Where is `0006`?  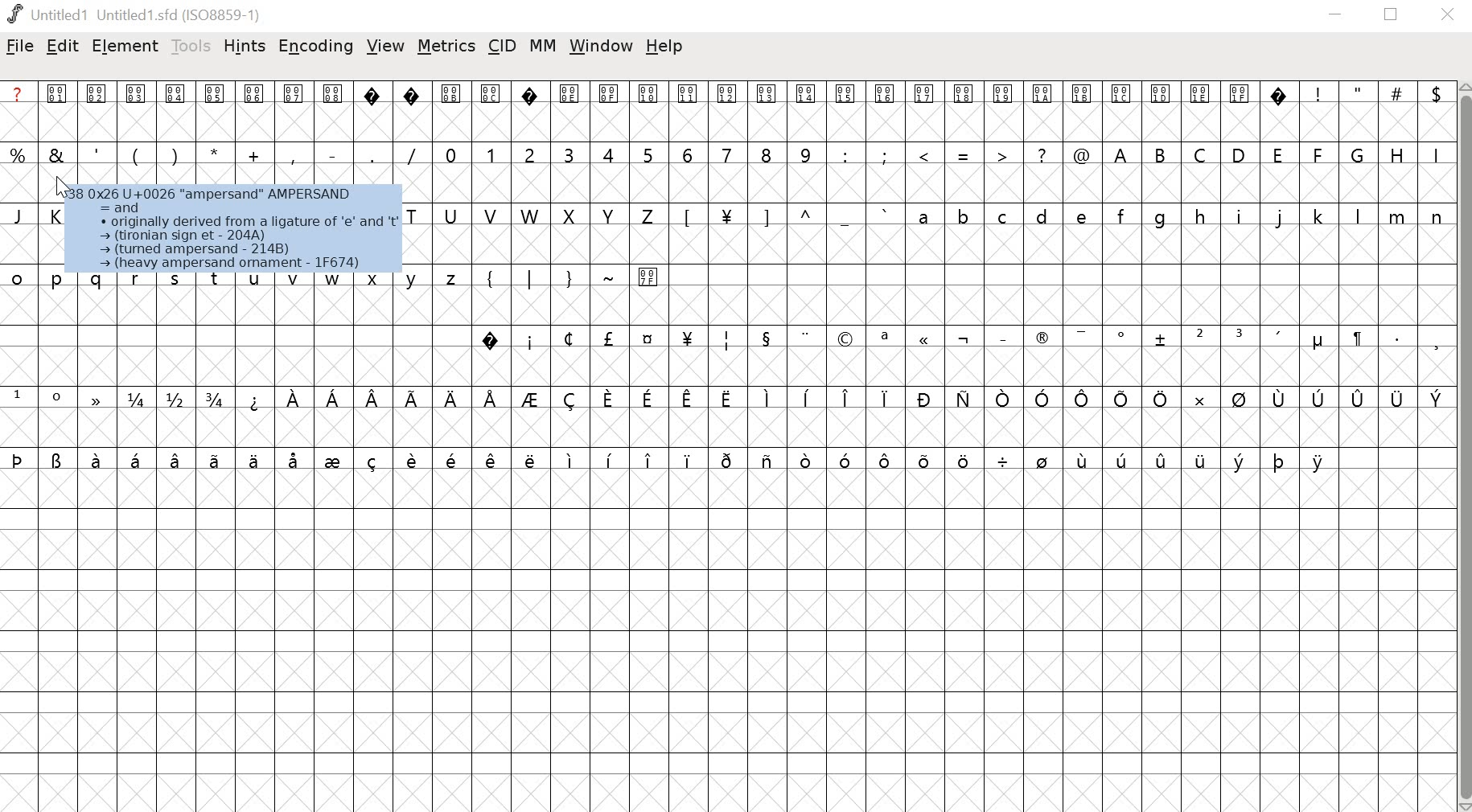
0006 is located at coordinates (255, 112).